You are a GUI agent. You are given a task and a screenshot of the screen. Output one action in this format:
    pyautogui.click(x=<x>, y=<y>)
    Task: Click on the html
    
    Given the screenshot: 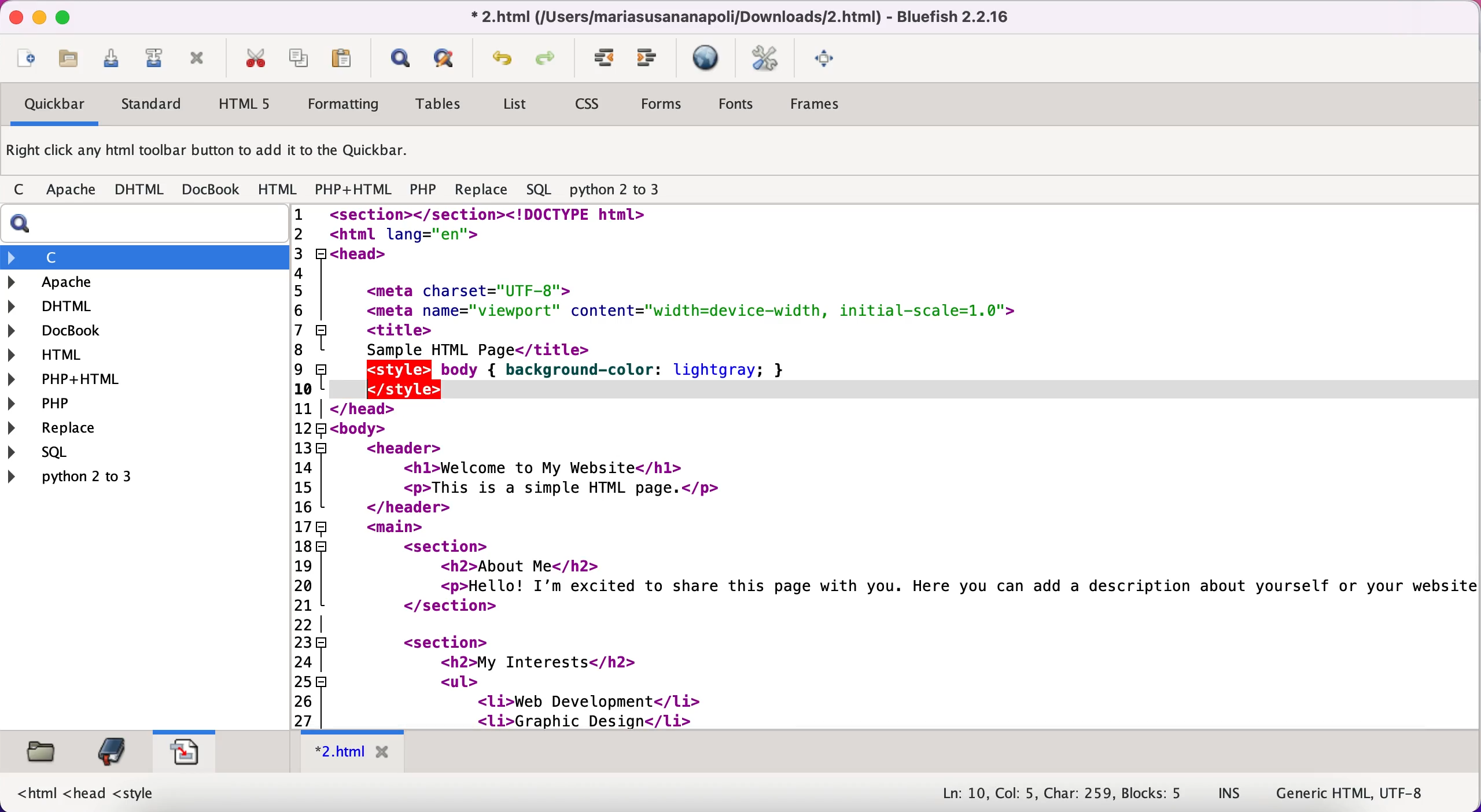 What is the action you would take?
    pyautogui.click(x=58, y=357)
    